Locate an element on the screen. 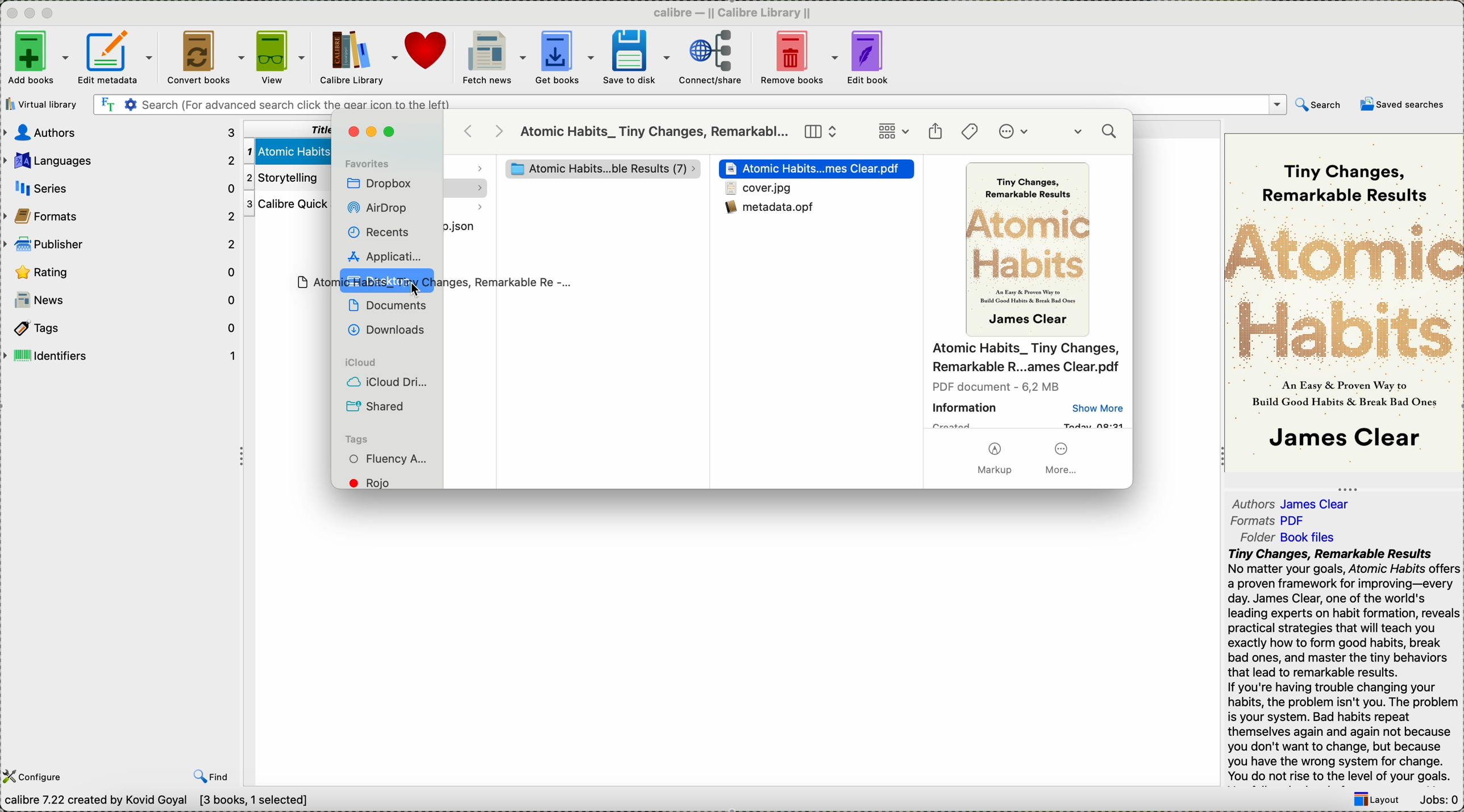 Image resolution: width=1464 pixels, height=812 pixels. close window is located at coordinates (352, 132).